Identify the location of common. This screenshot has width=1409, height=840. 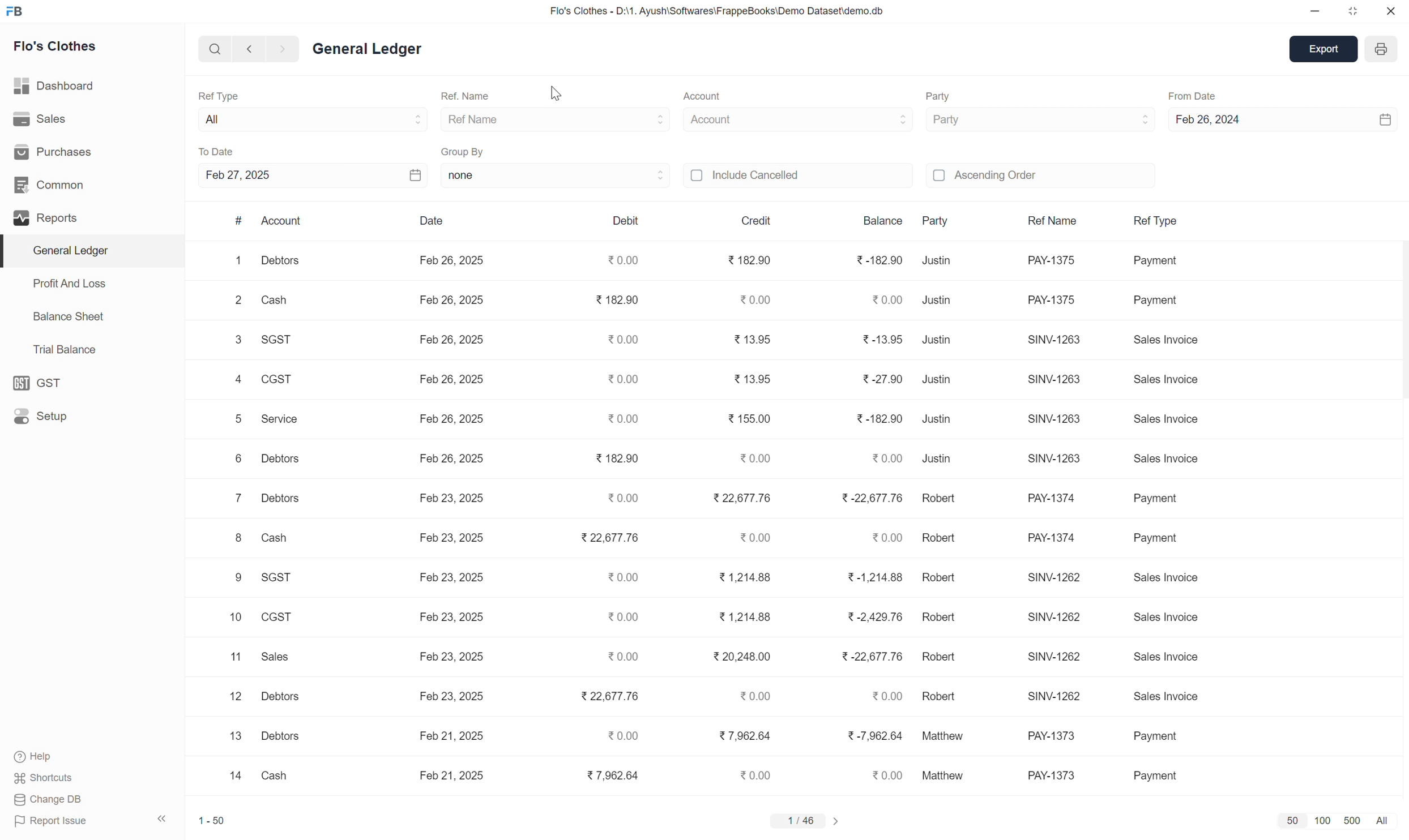
(94, 185).